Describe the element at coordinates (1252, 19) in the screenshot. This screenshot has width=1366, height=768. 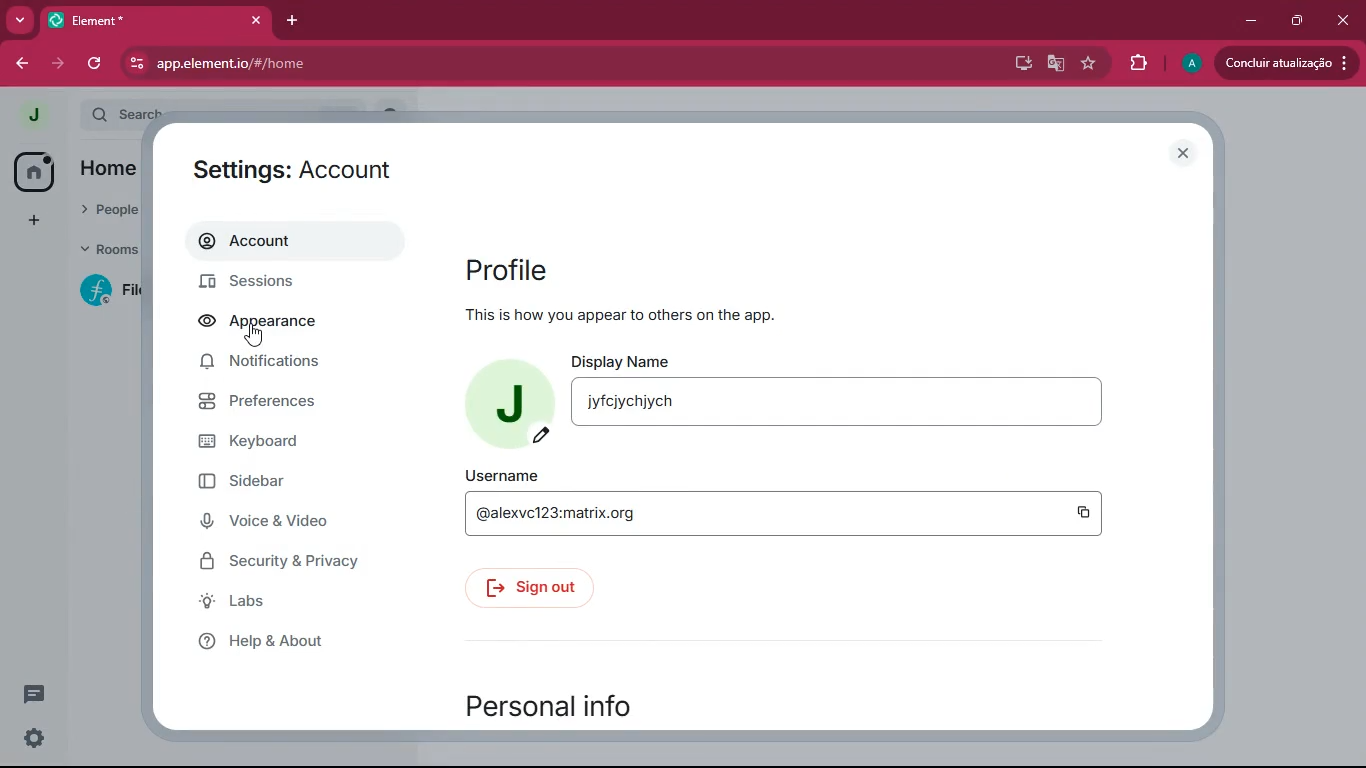
I see `minimize` at that location.